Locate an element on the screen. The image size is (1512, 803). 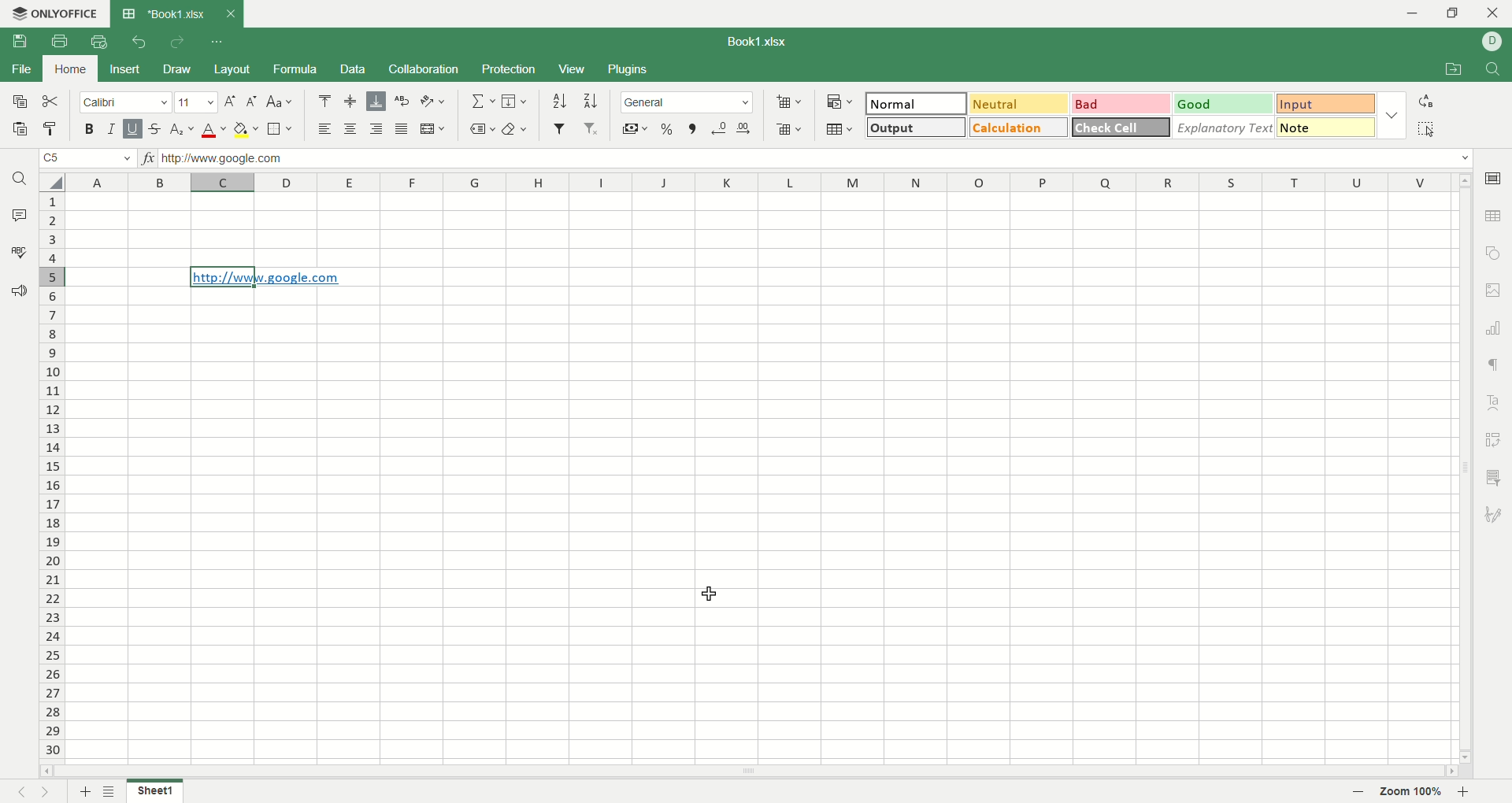
note is located at coordinates (1326, 127).